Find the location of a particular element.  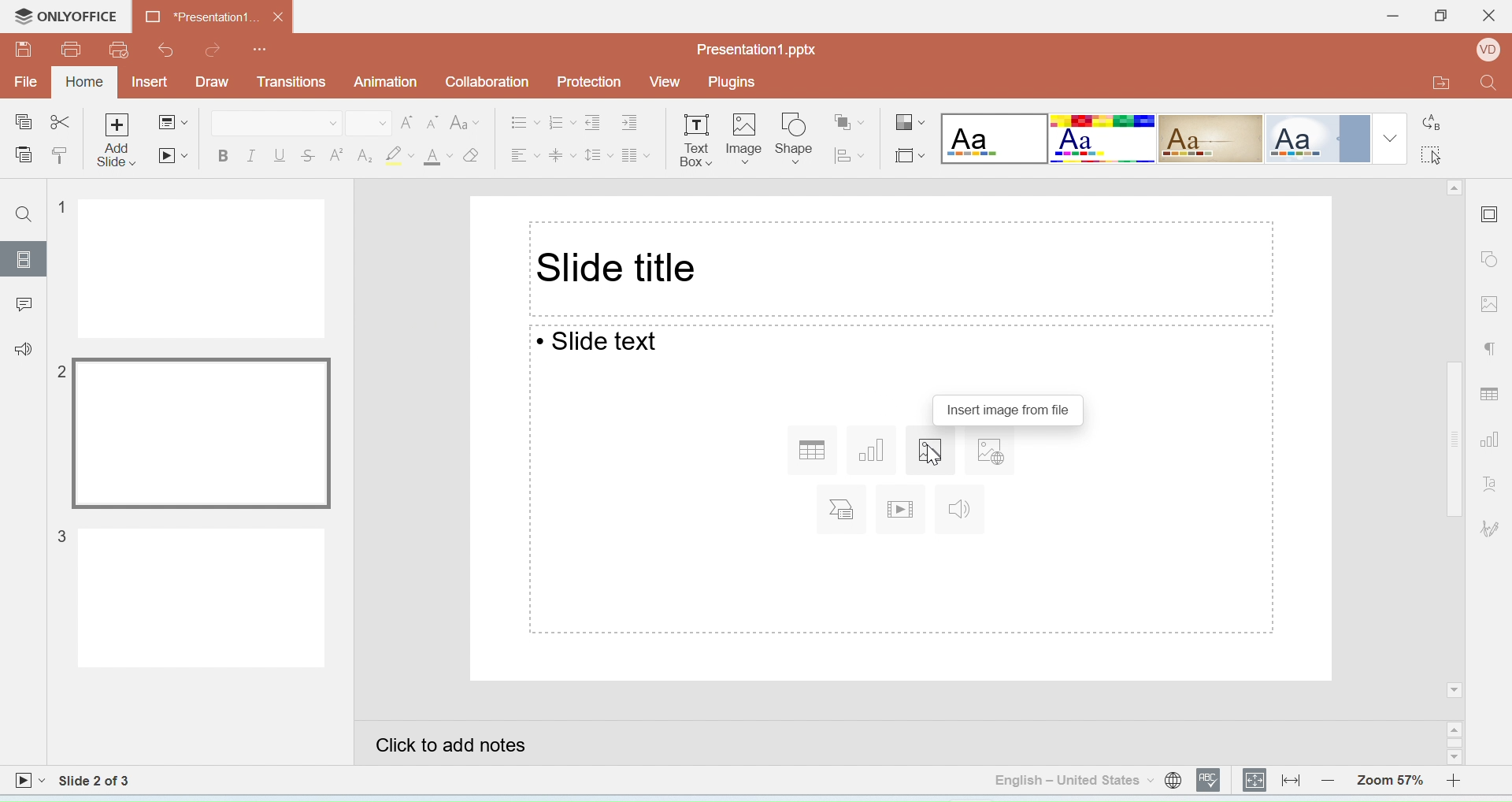

Clear style is located at coordinates (472, 155).